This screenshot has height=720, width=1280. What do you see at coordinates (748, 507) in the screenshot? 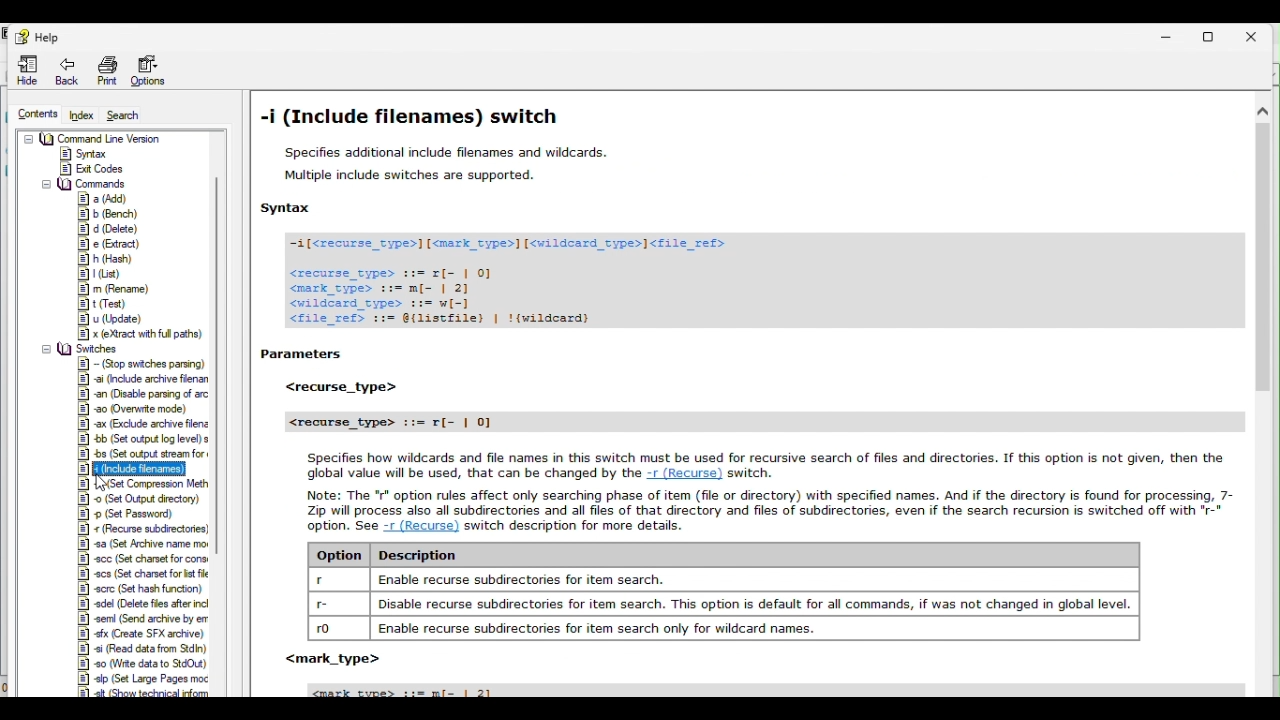
I see `description text` at bounding box center [748, 507].